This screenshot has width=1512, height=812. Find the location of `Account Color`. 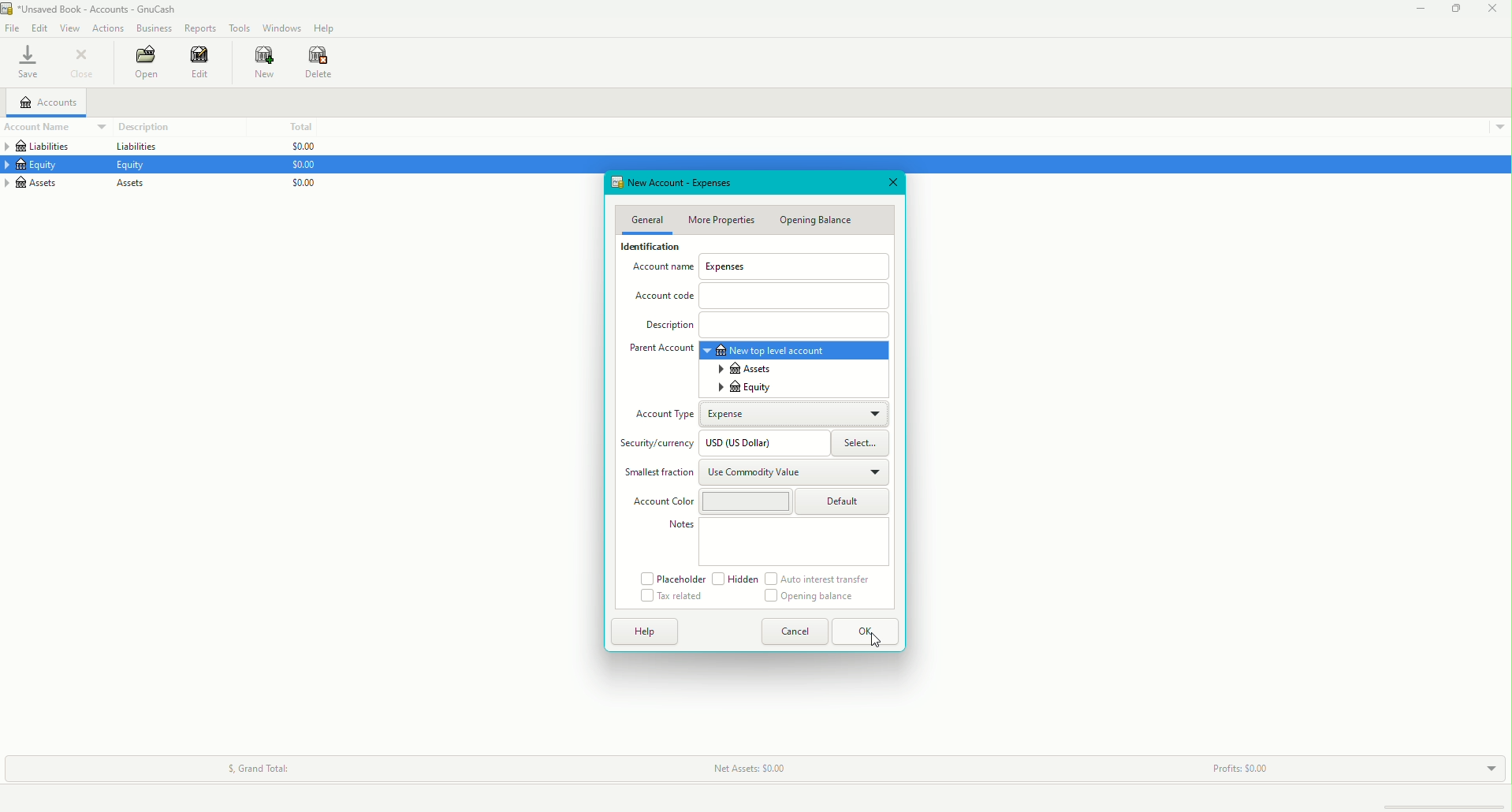

Account Color is located at coordinates (659, 503).